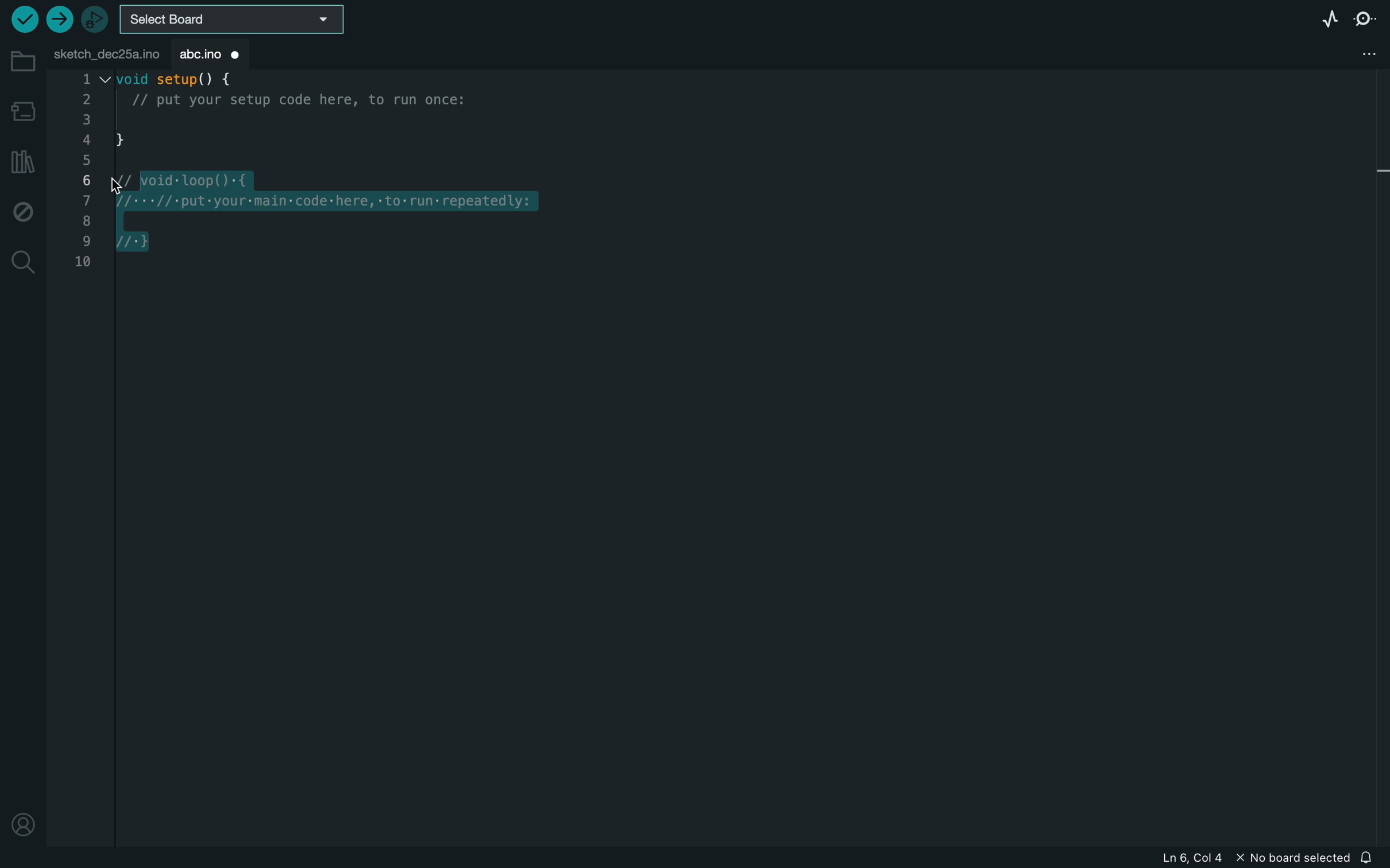 The width and height of the screenshot is (1390, 868). Describe the element at coordinates (1329, 18) in the screenshot. I see `serial  plotter` at that location.